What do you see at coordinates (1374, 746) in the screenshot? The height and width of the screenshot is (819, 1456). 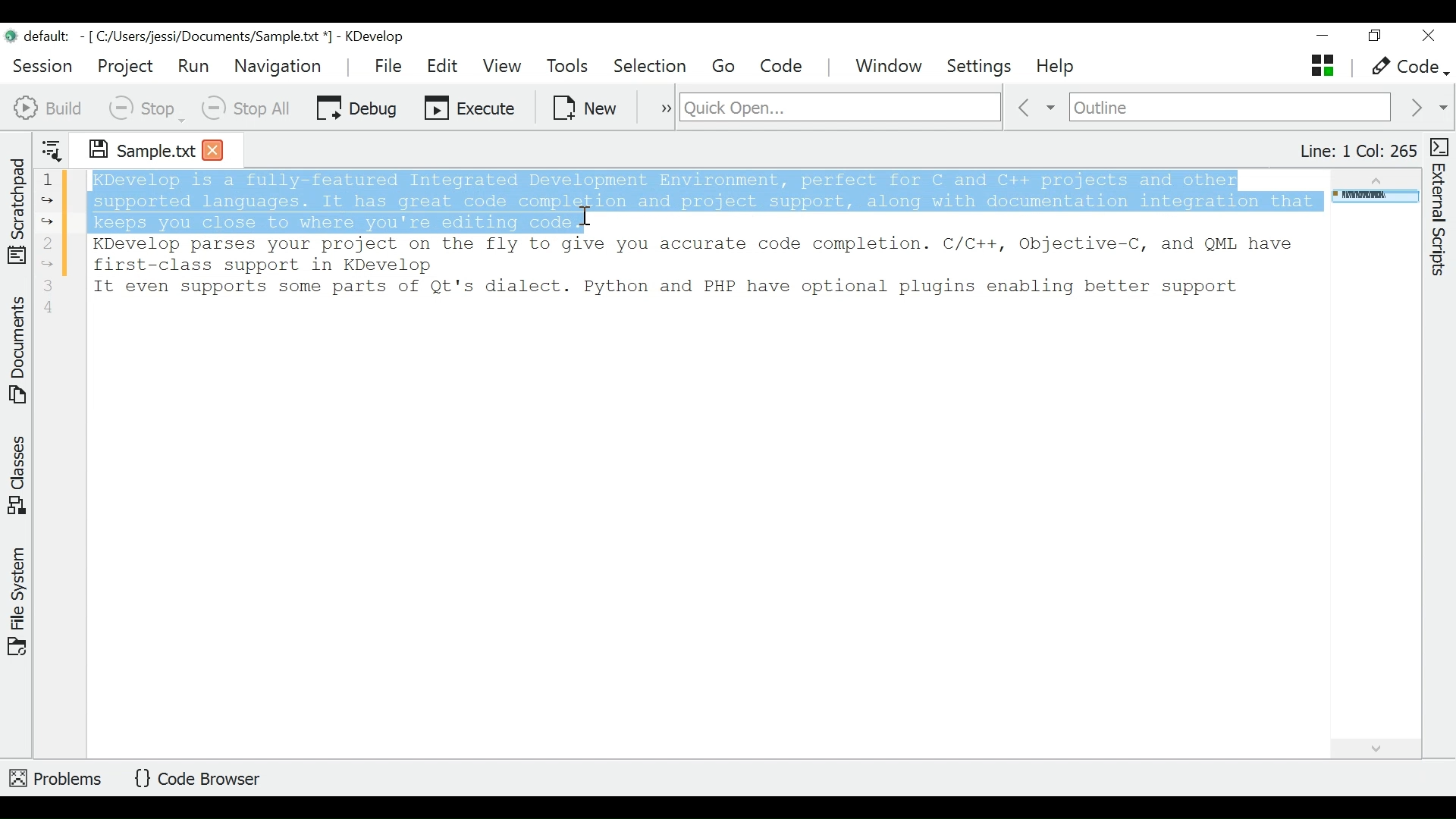 I see `Scroll down` at bounding box center [1374, 746].